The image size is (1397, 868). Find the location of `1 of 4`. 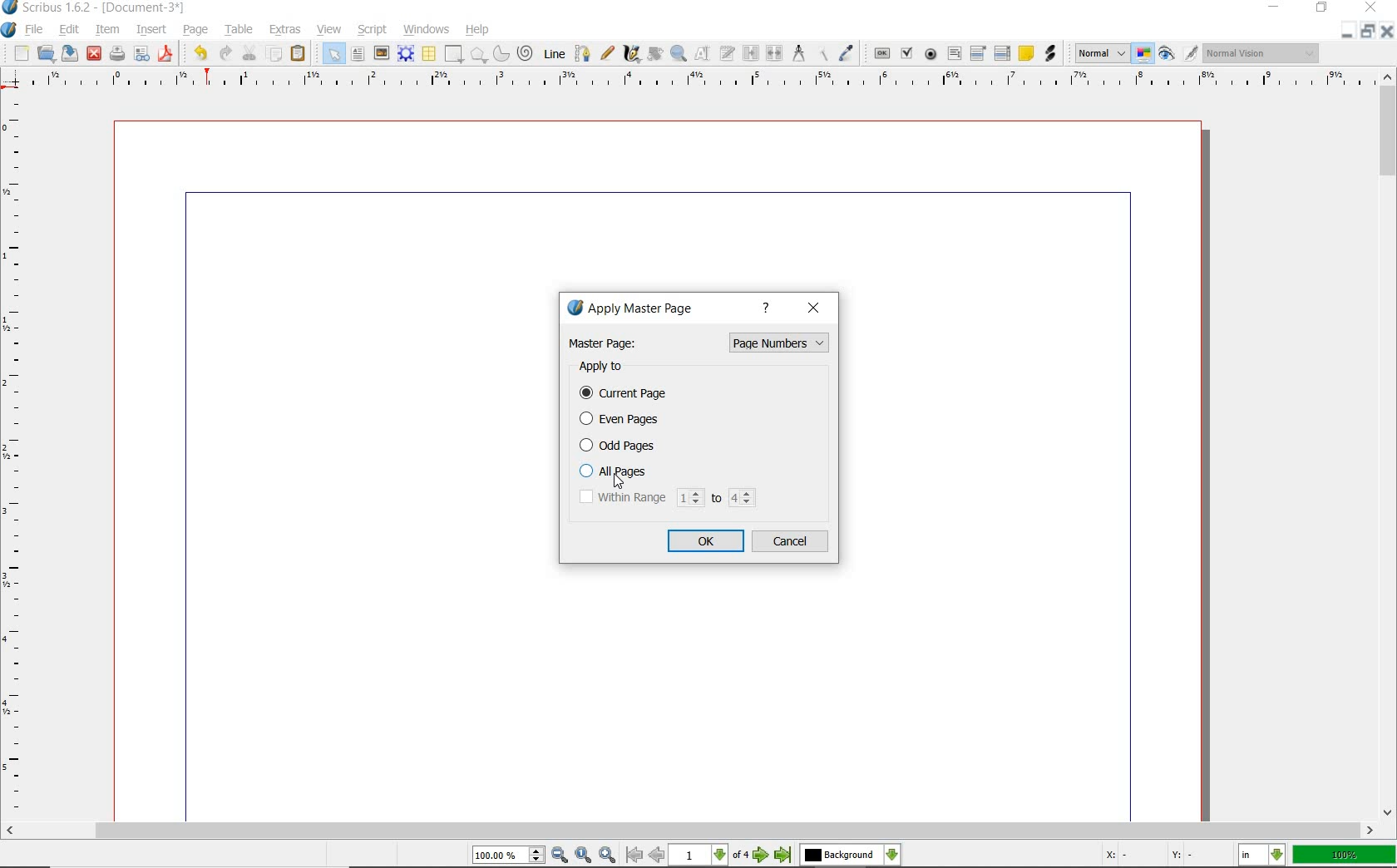

1 of 4 is located at coordinates (711, 856).